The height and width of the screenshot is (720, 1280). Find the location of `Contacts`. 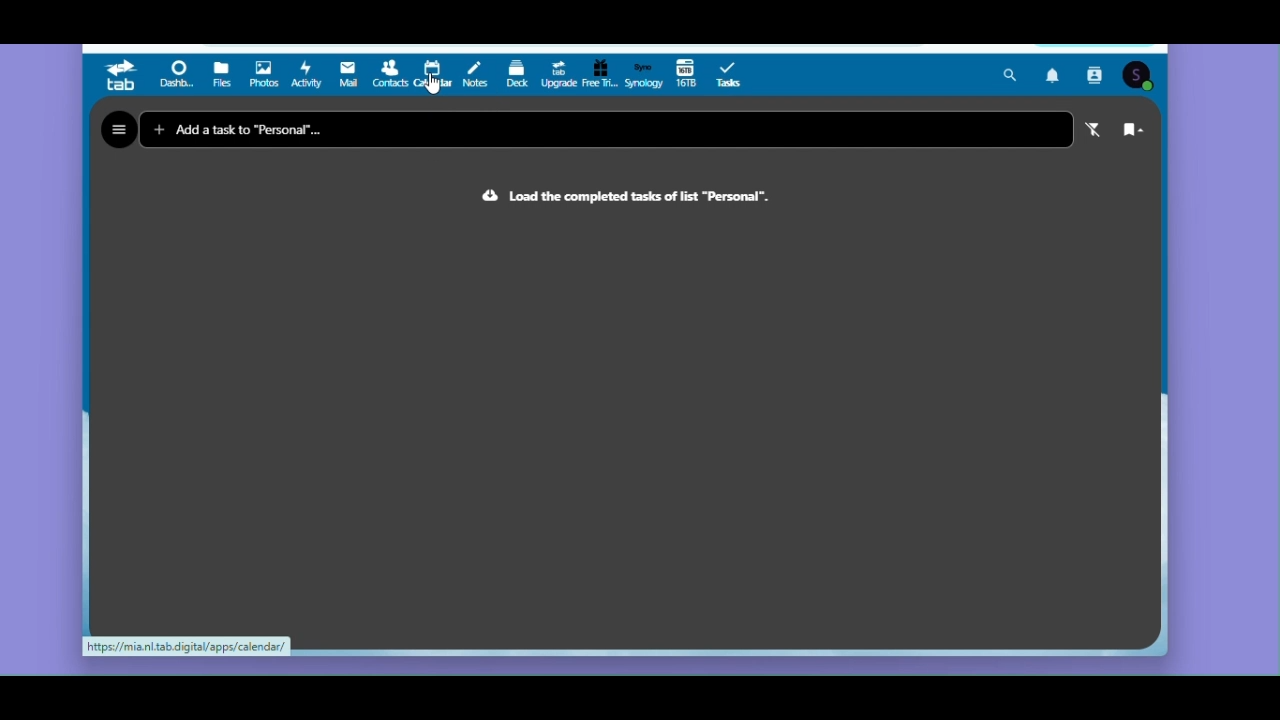

Contacts is located at coordinates (1098, 75).